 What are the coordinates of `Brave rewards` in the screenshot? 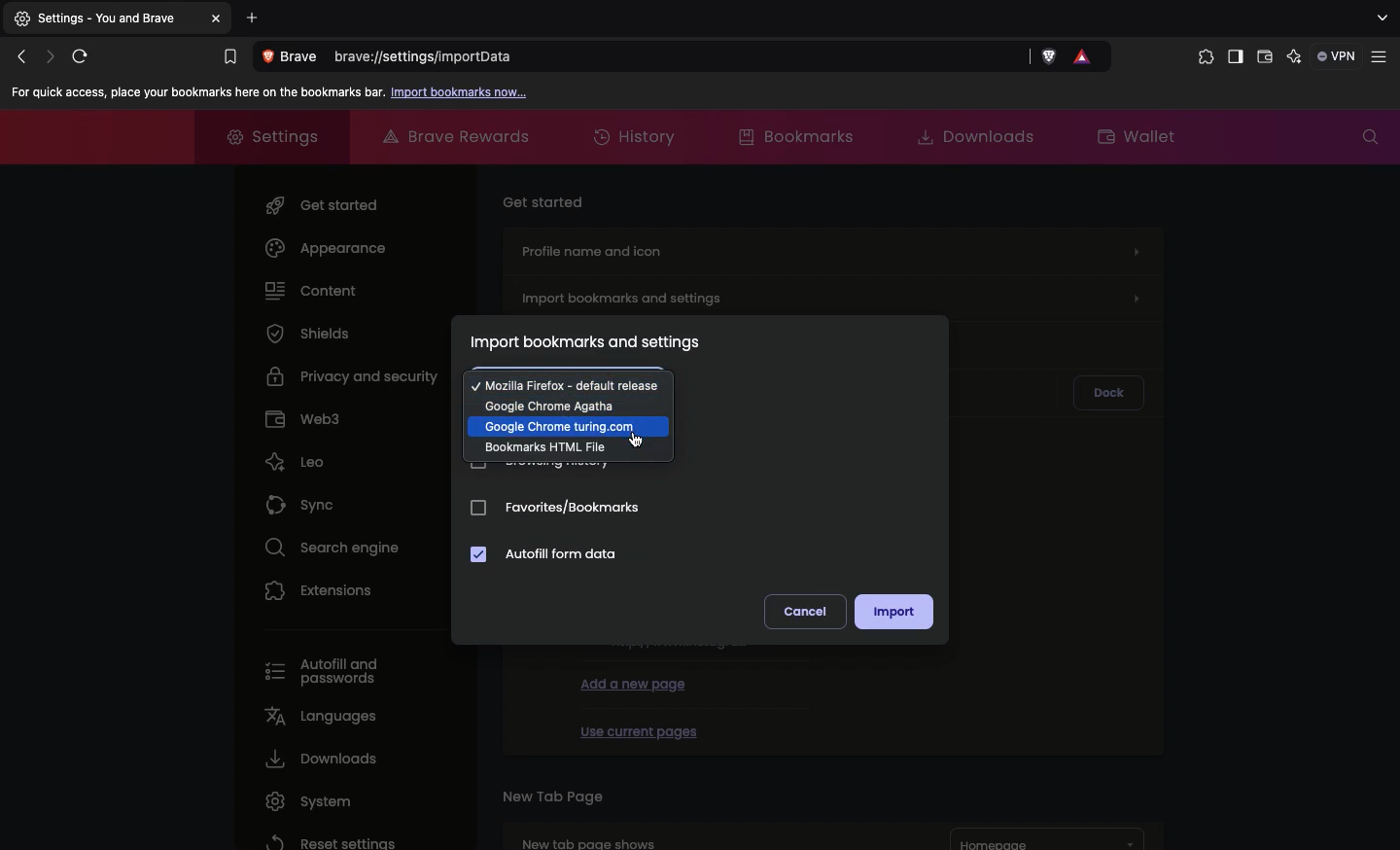 It's located at (459, 136).